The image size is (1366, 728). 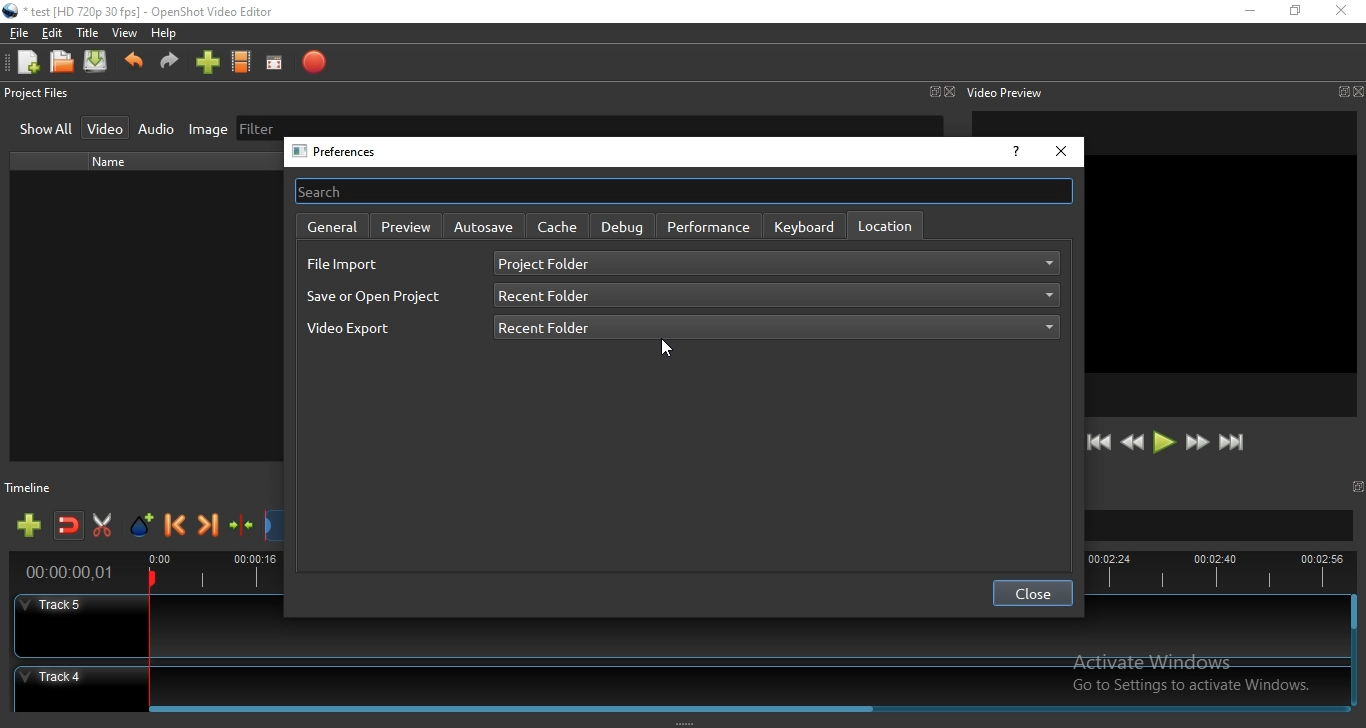 I want to click on Edit , so click(x=53, y=35).